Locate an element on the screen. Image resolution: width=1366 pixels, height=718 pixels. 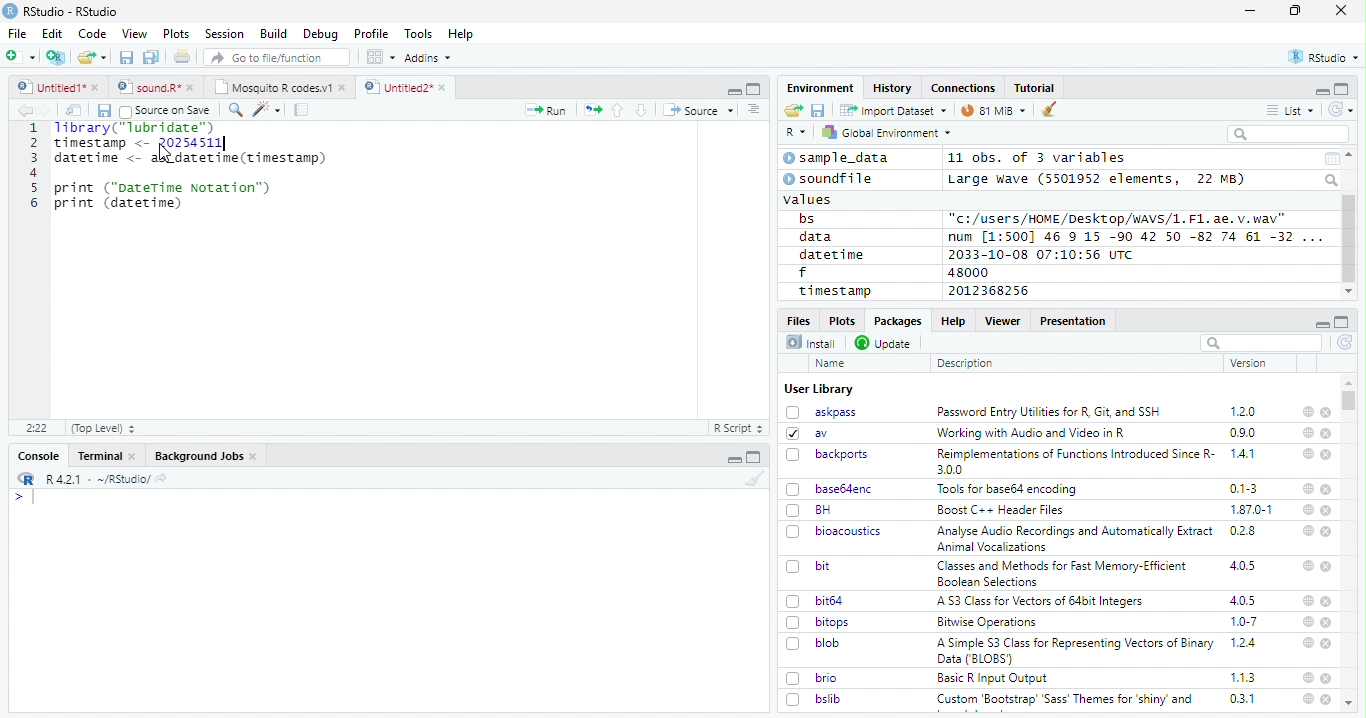
close is located at coordinates (1328, 532).